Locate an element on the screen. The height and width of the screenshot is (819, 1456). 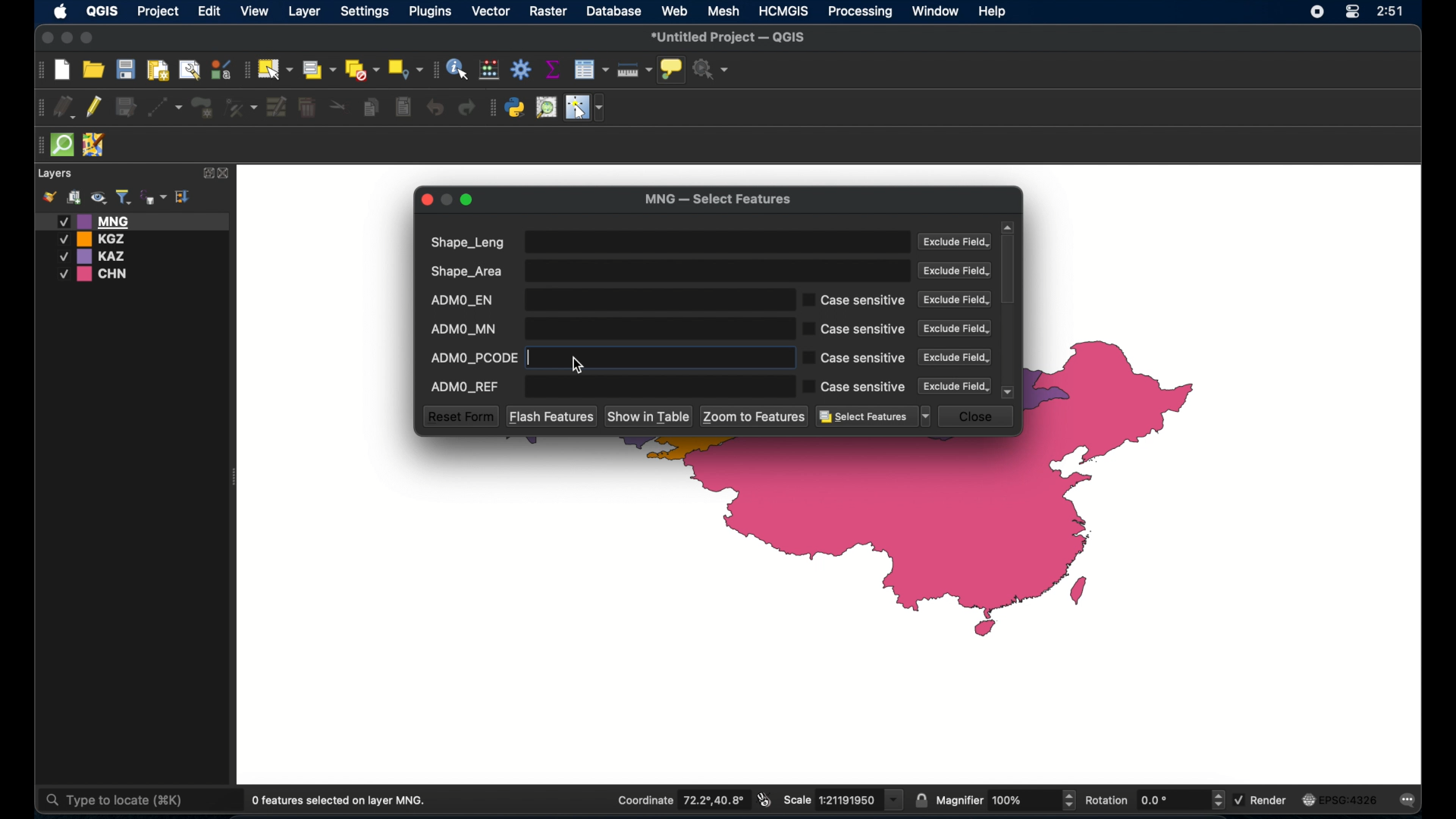
maximize is located at coordinates (469, 201).